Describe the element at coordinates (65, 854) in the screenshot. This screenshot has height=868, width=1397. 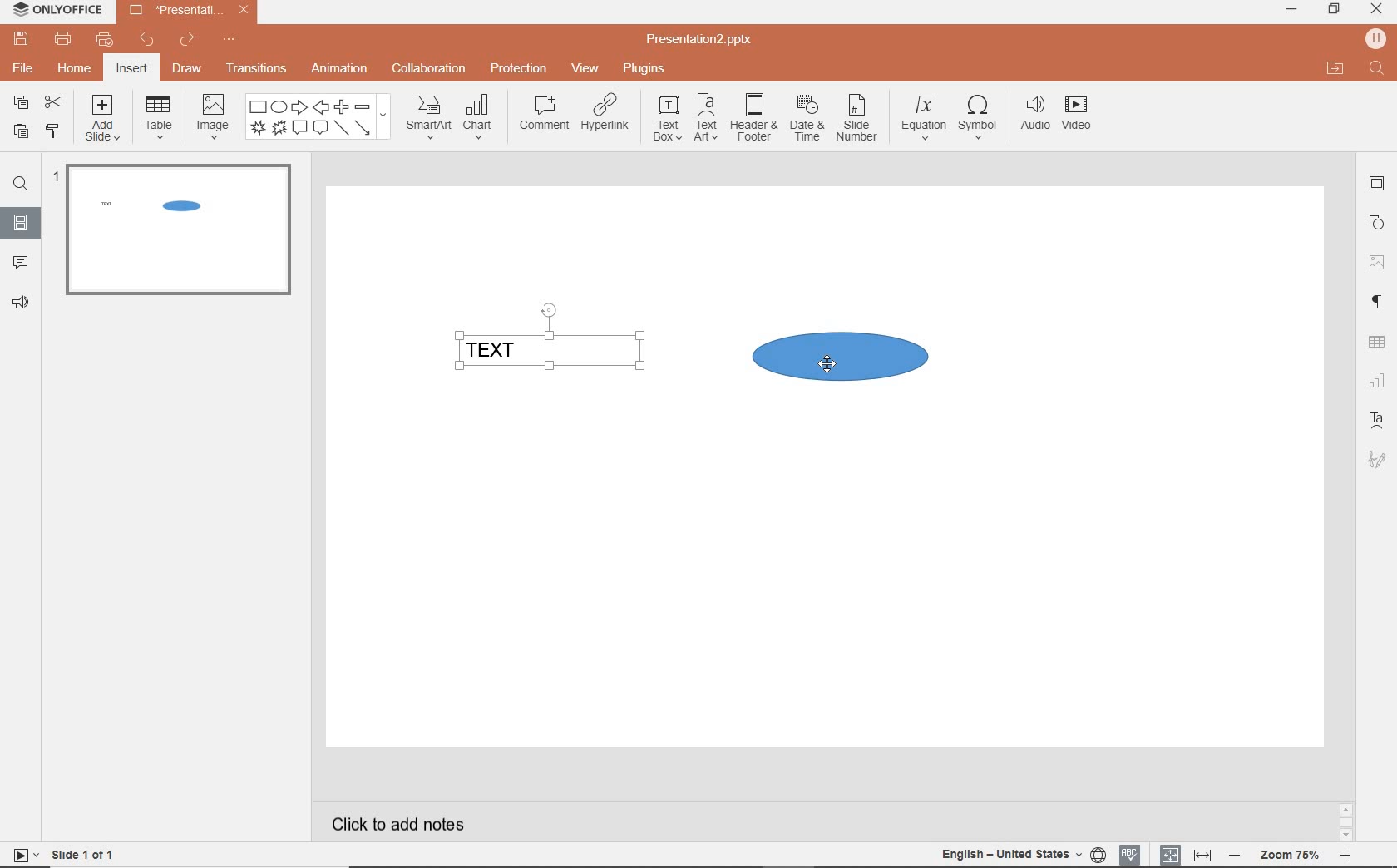
I see `SLIDE 1 OF 1` at that location.